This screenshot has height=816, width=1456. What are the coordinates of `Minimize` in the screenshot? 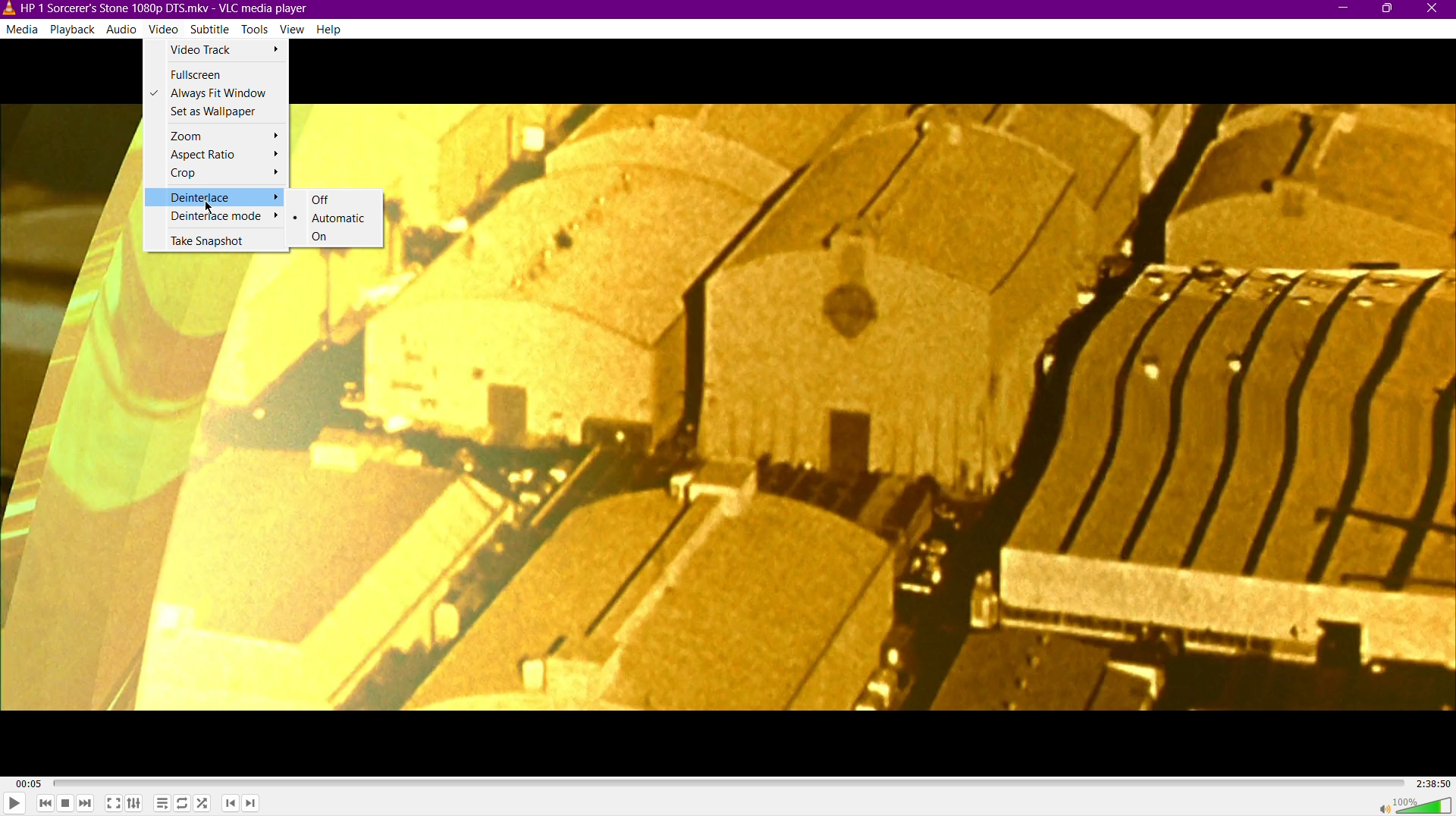 It's located at (1346, 9).